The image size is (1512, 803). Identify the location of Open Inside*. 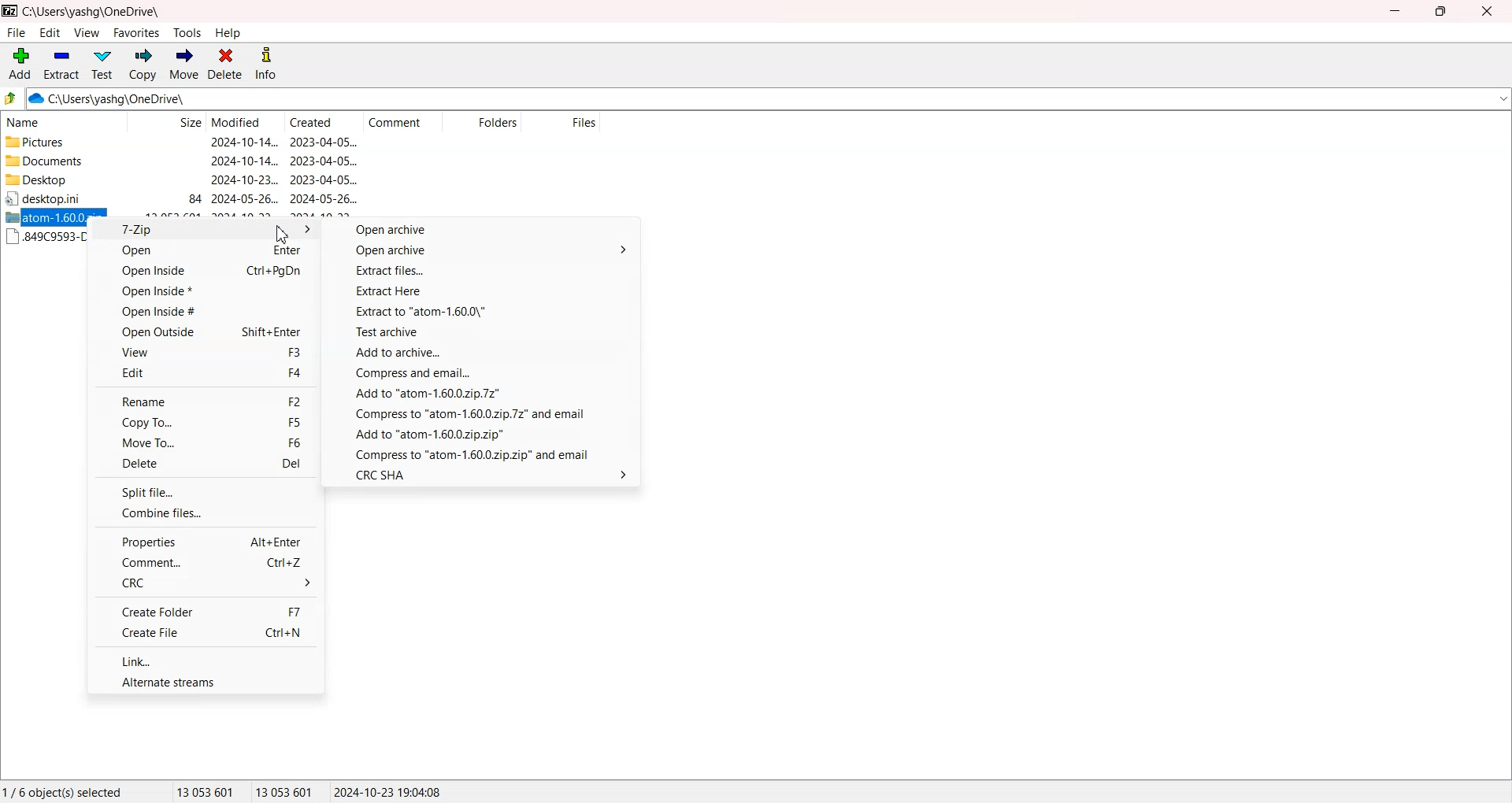
(204, 291).